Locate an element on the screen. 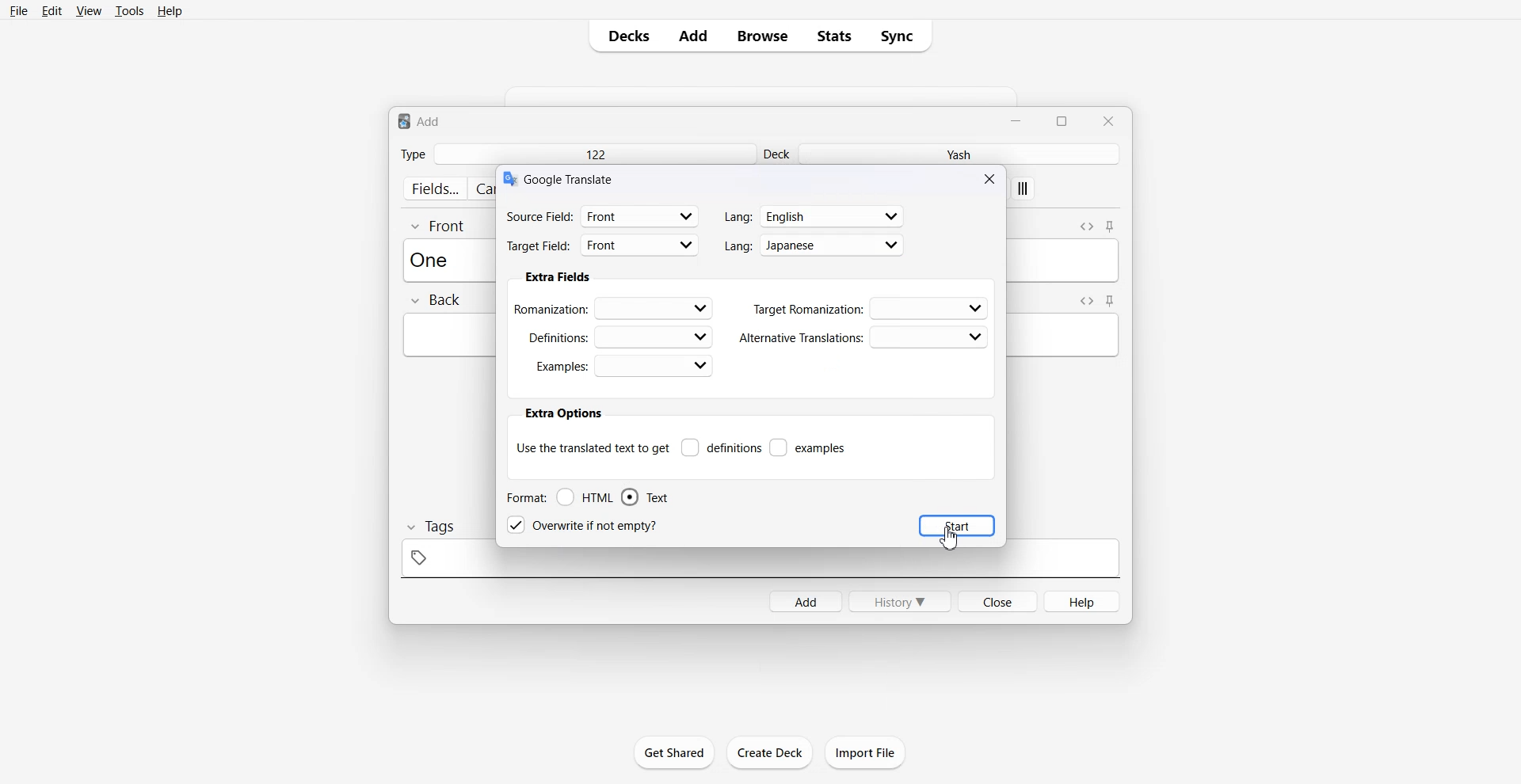 The image size is (1521, 784). Back is located at coordinates (435, 301).